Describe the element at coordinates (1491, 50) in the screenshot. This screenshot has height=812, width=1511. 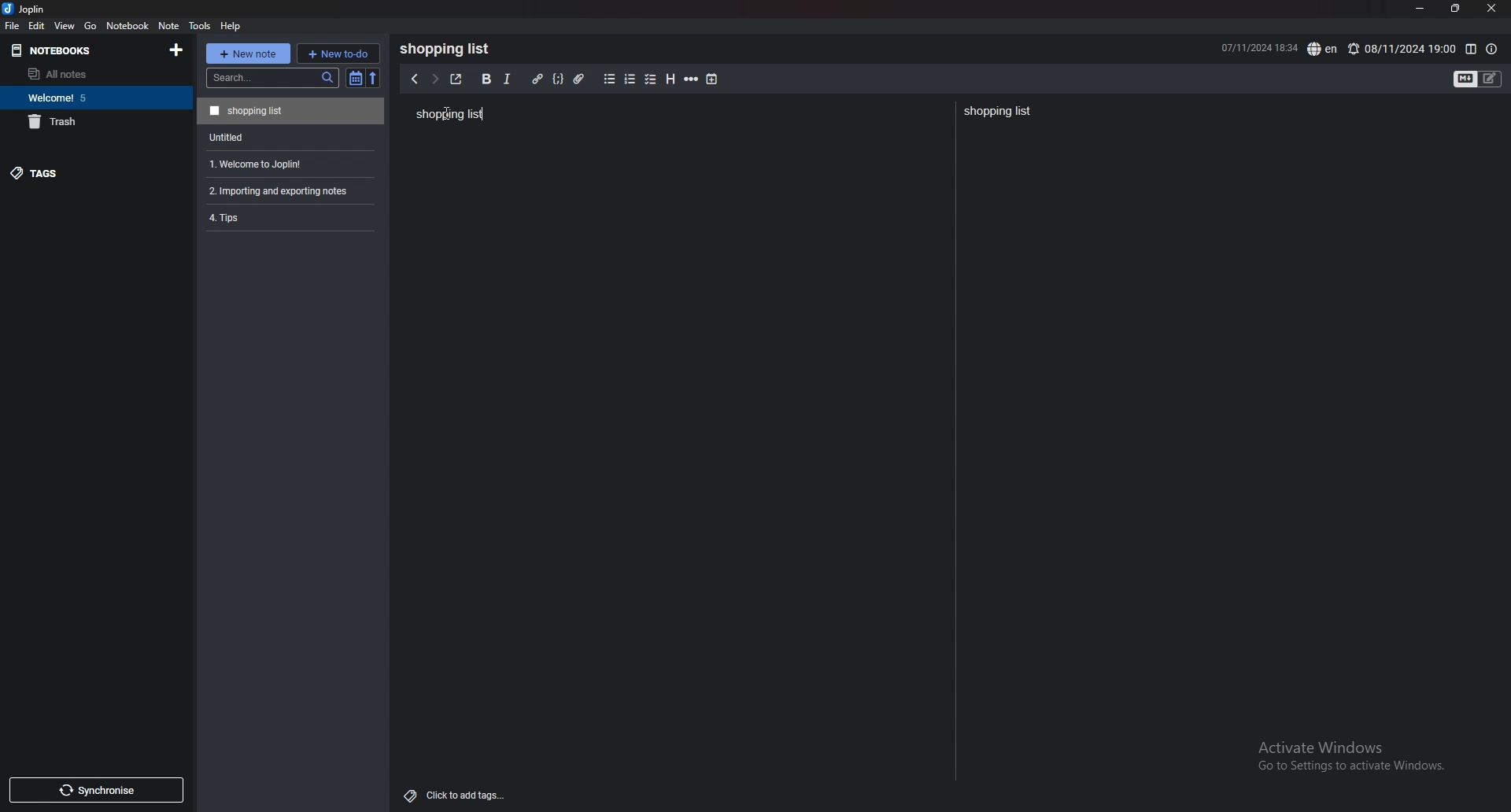
I see `note properties` at that location.